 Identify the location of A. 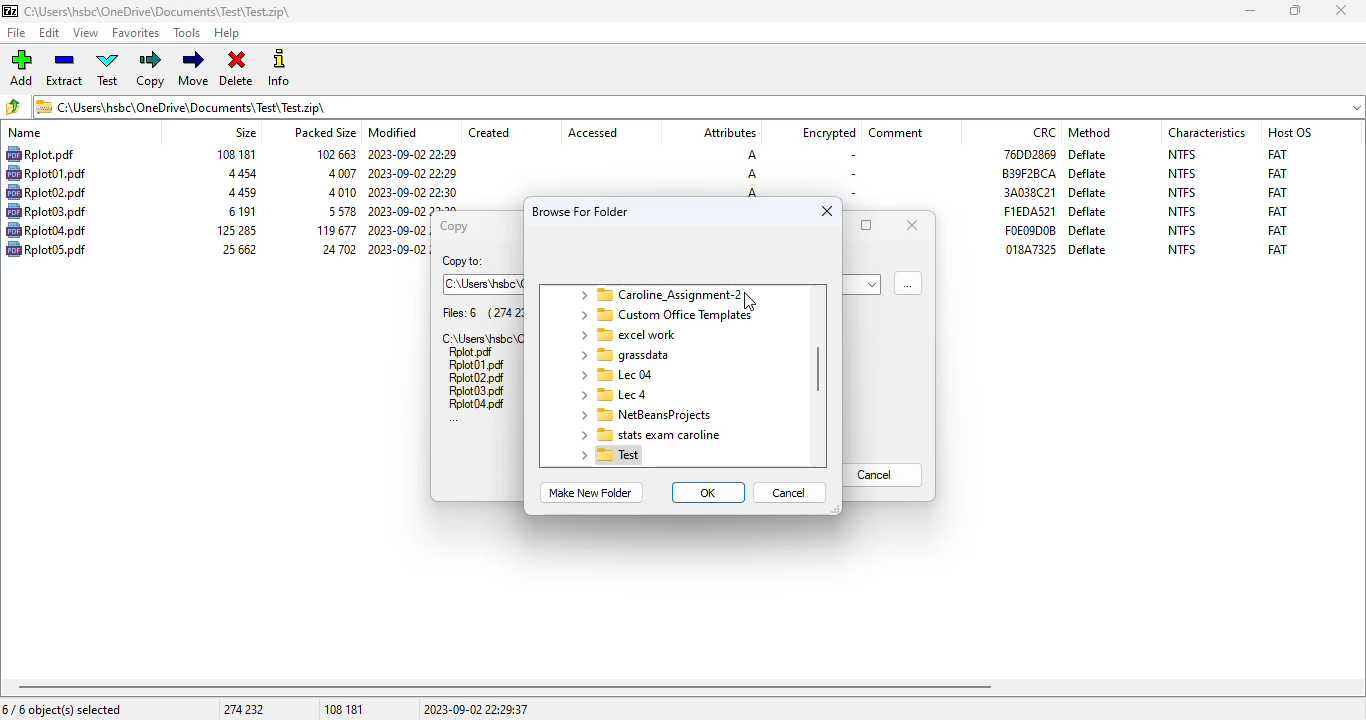
(752, 193).